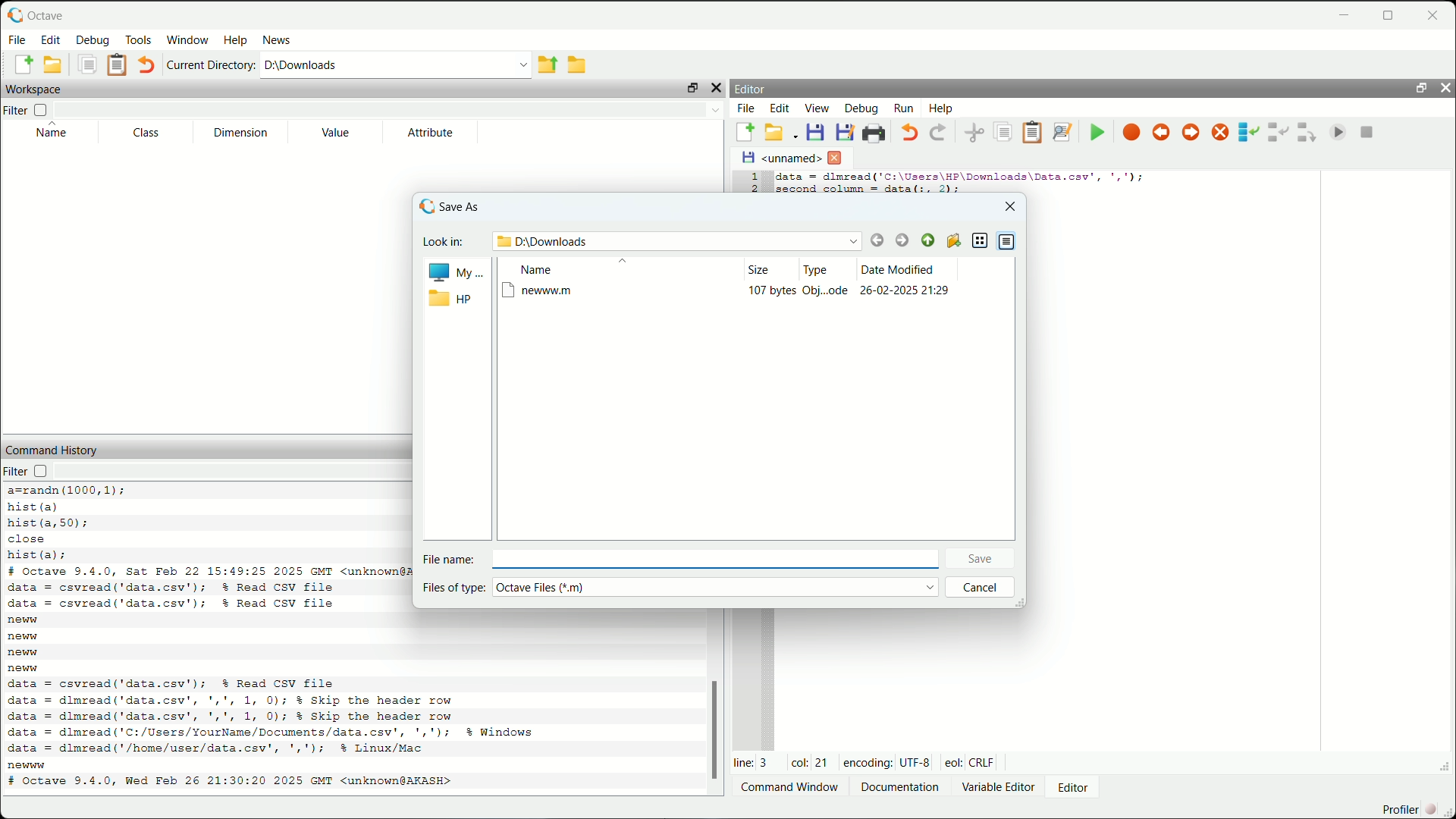 The height and width of the screenshot is (819, 1456). What do you see at coordinates (780, 159) in the screenshot?
I see `unnamed` at bounding box center [780, 159].